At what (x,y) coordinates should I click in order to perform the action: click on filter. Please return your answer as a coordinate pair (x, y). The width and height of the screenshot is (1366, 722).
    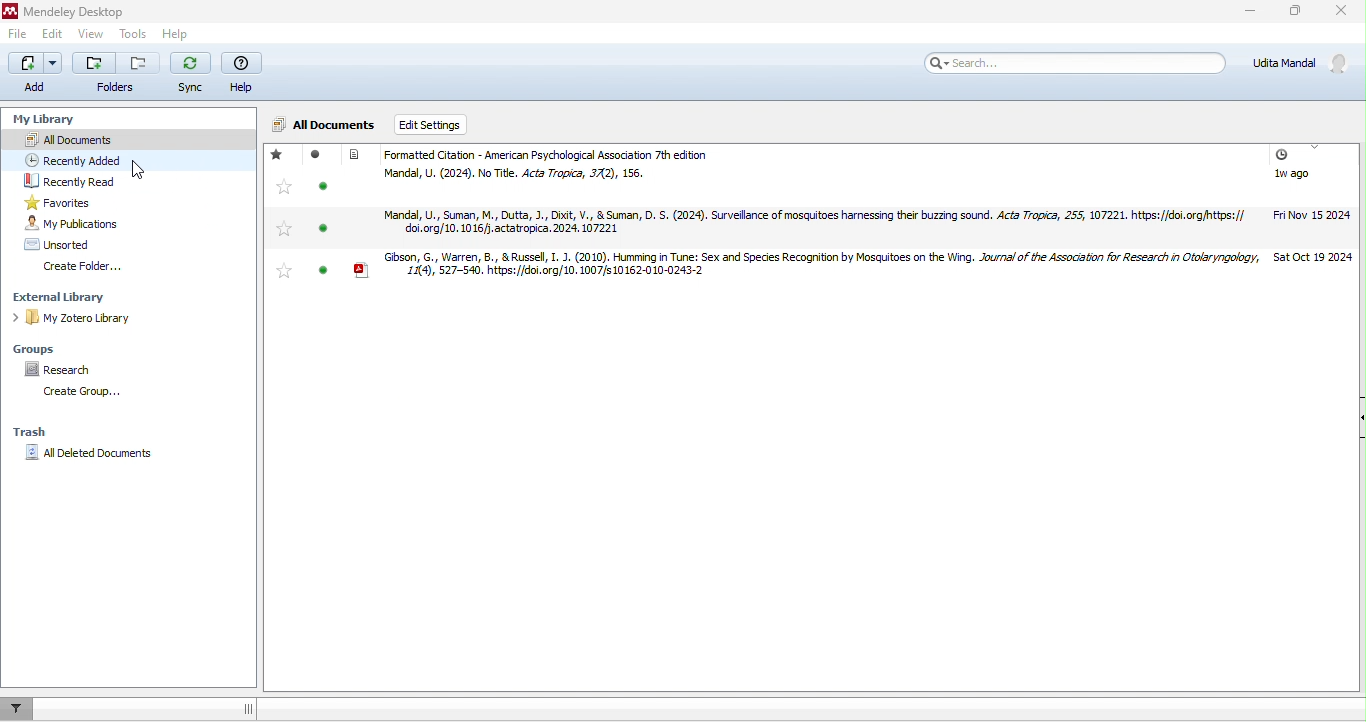
    Looking at the image, I should click on (17, 710).